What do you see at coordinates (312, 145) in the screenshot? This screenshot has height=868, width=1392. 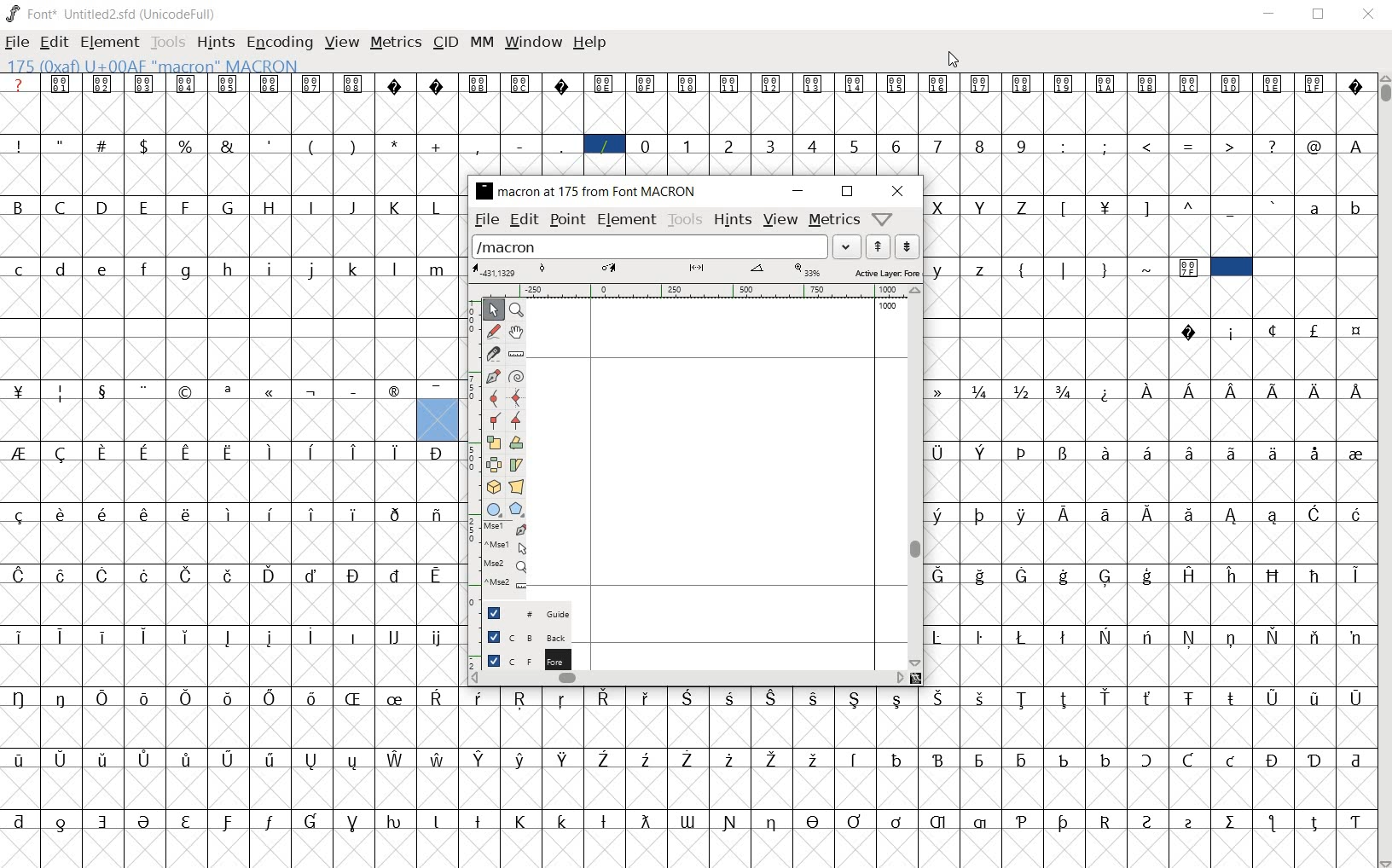 I see `(` at bounding box center [312, 145].